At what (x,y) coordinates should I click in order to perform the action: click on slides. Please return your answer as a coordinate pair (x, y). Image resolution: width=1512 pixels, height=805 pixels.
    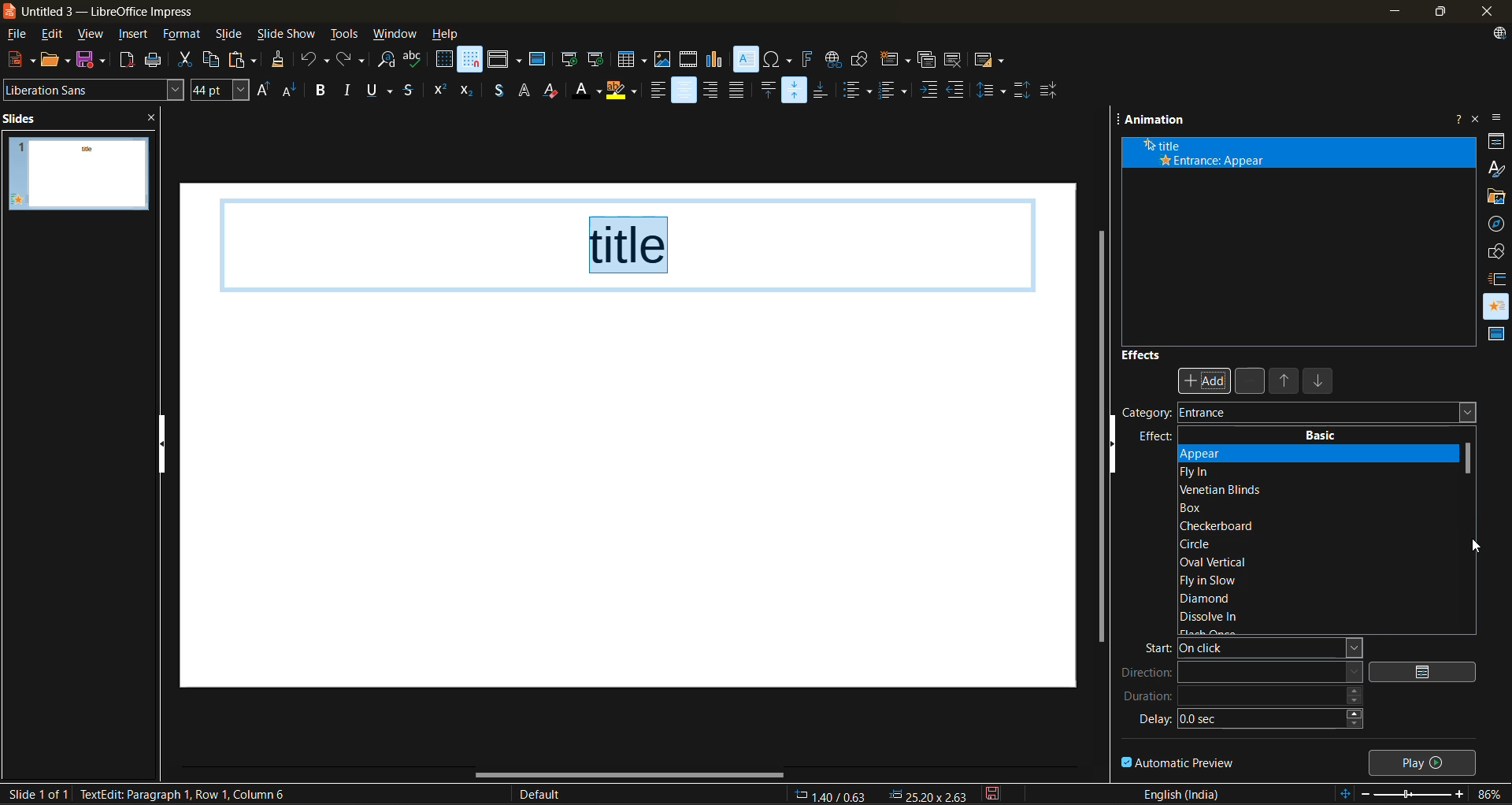
    Looking at the image, I should click on (25, 117).